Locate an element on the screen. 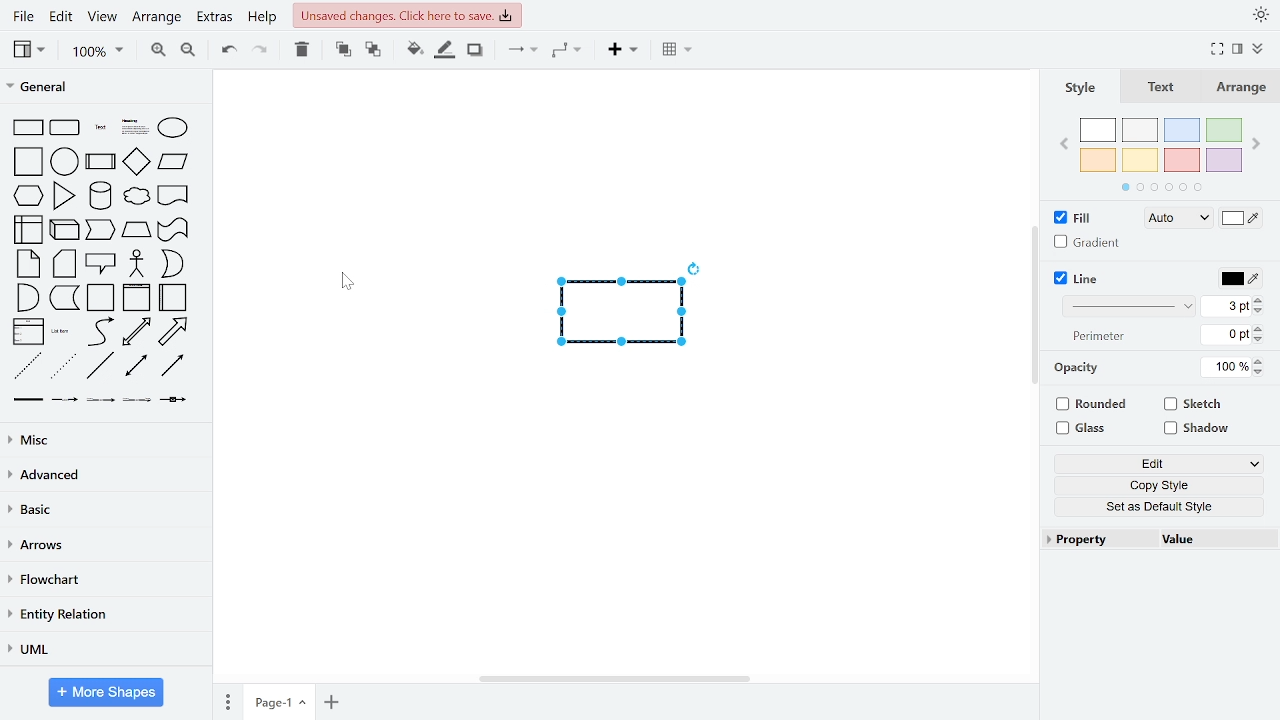 This screenshot has width=1280, height=720. general shapes is located at coordinates (28, 230).